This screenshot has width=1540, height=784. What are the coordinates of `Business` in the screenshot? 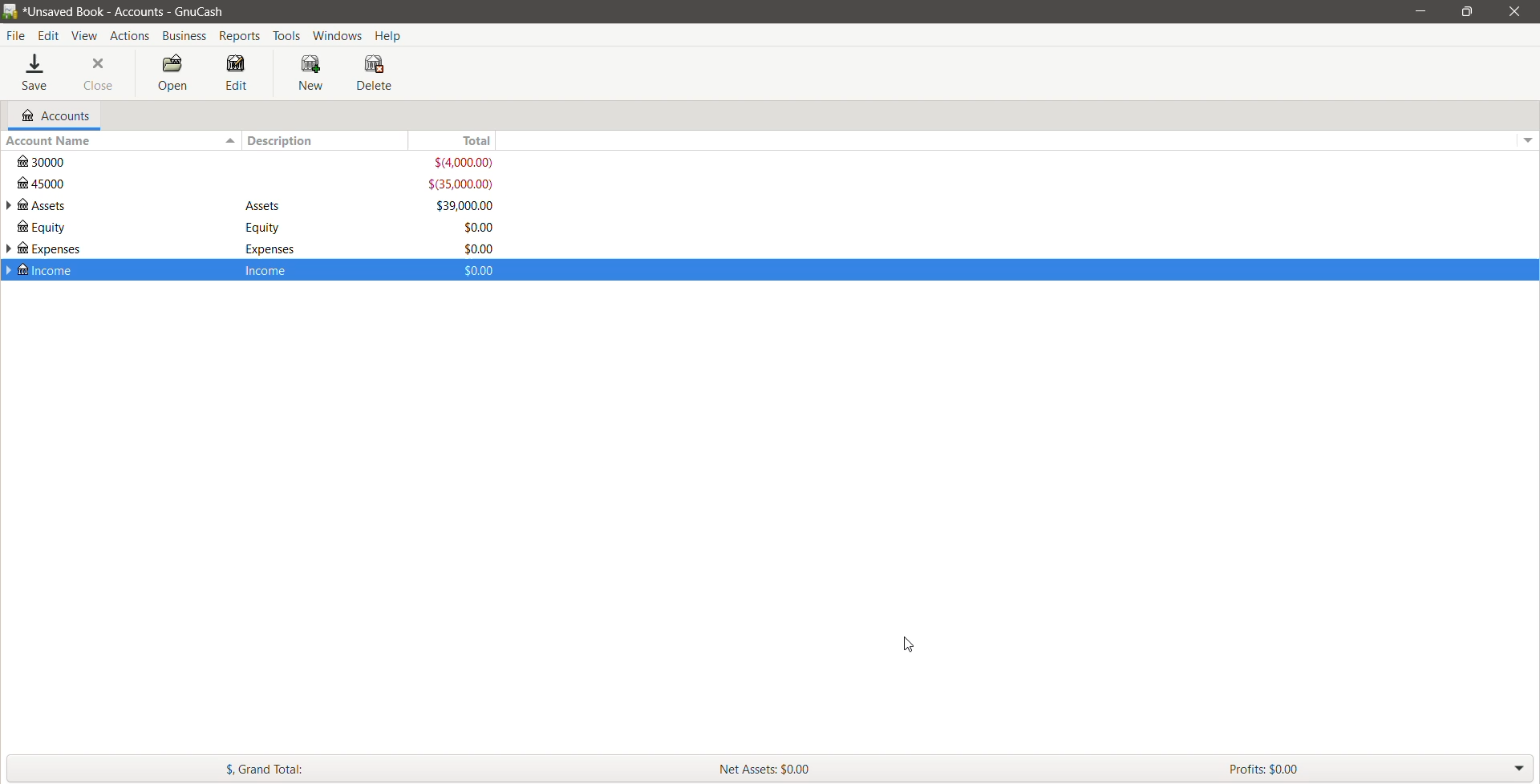 It's located at (184, 36).